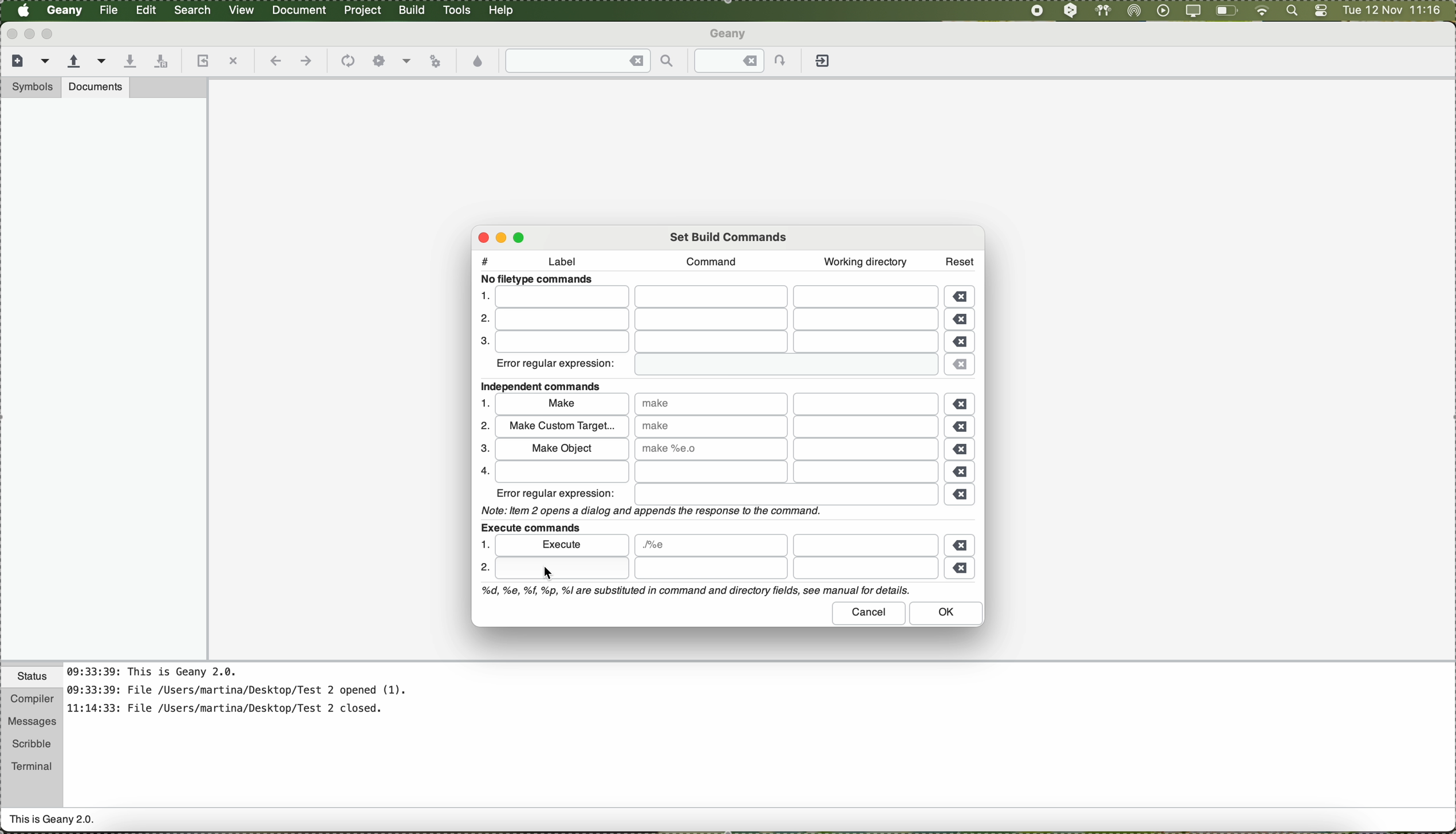  Describe the element at coordinates (479, 62) in the screenshot. I see `choose color` at that location.